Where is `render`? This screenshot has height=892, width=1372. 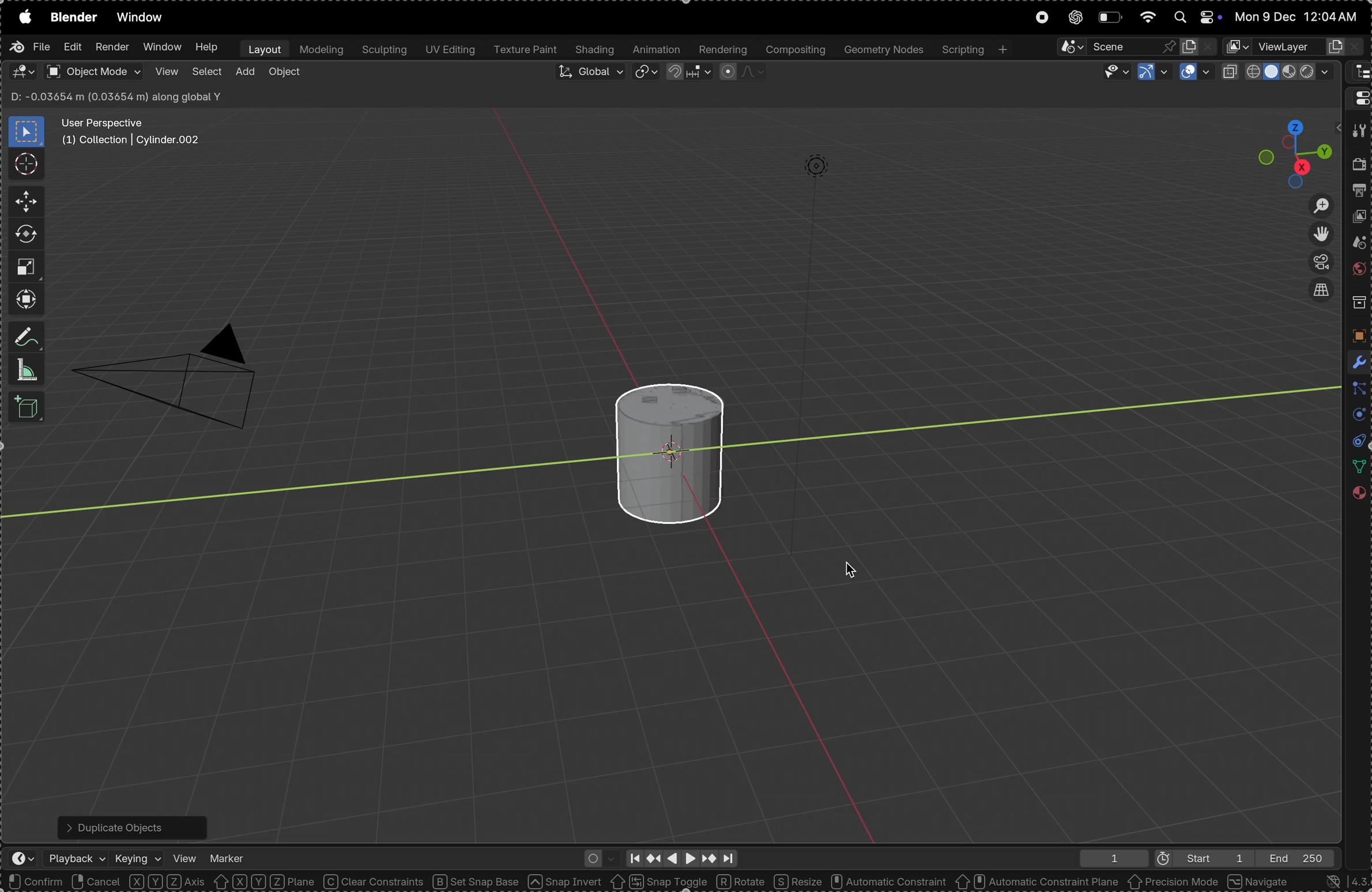 render is located at coordinates (112, 47).